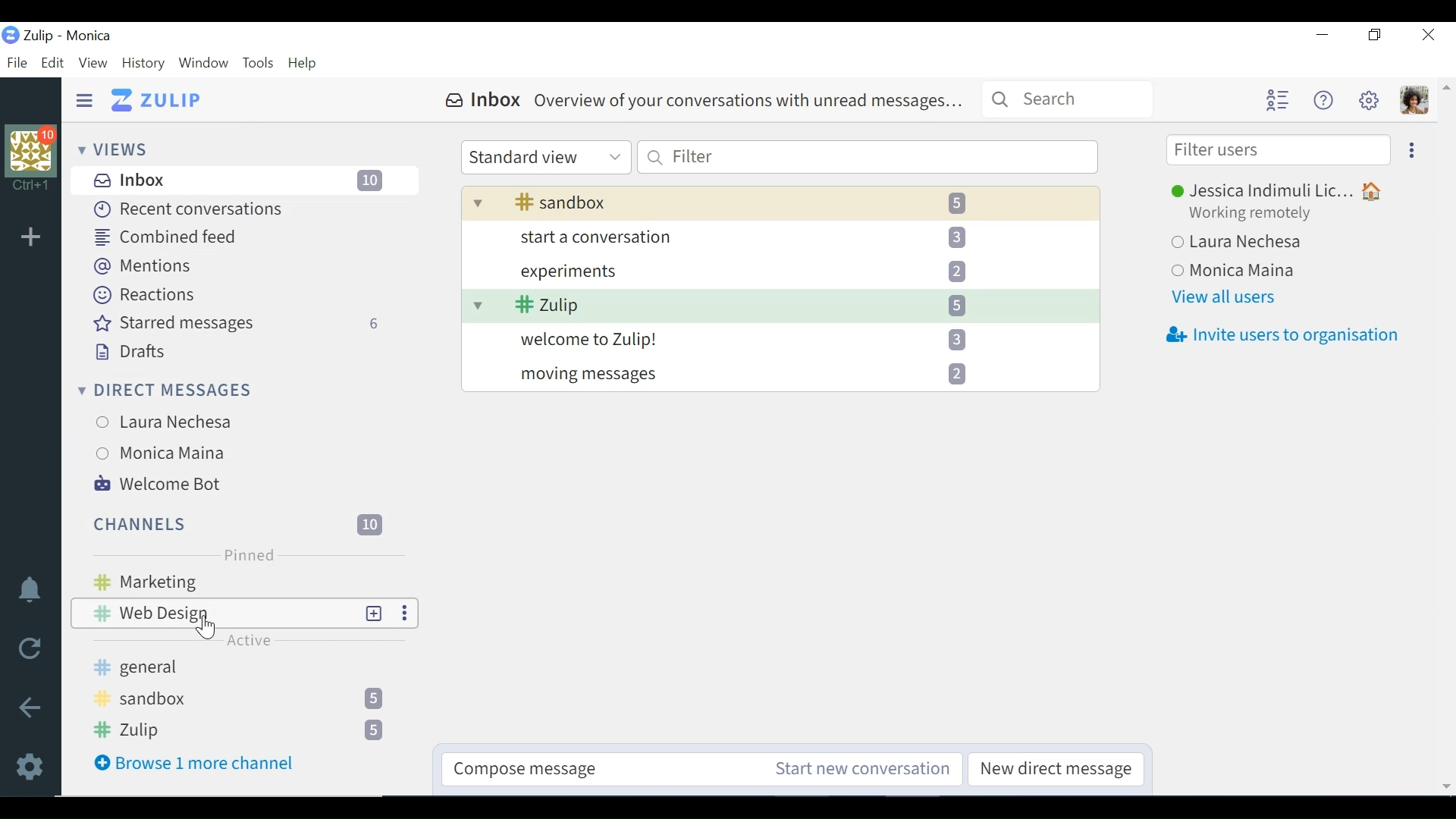 The image size is (1456, 819). Describe the element at coordinates (235, 522) in the screenshot. I see `Channels menu` at that location.